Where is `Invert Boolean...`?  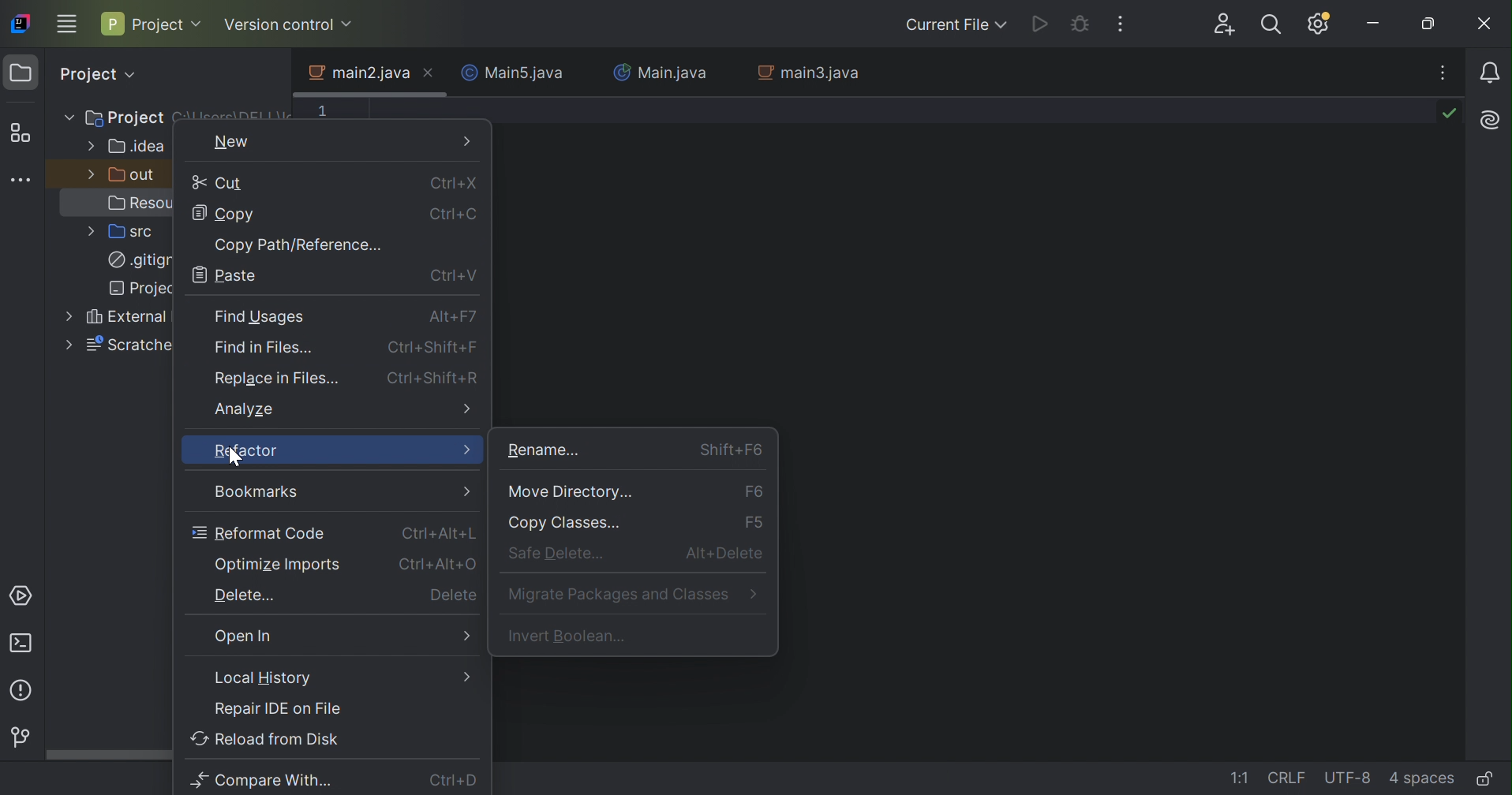
Invert Boolean... is located at coordinates (568, 636).